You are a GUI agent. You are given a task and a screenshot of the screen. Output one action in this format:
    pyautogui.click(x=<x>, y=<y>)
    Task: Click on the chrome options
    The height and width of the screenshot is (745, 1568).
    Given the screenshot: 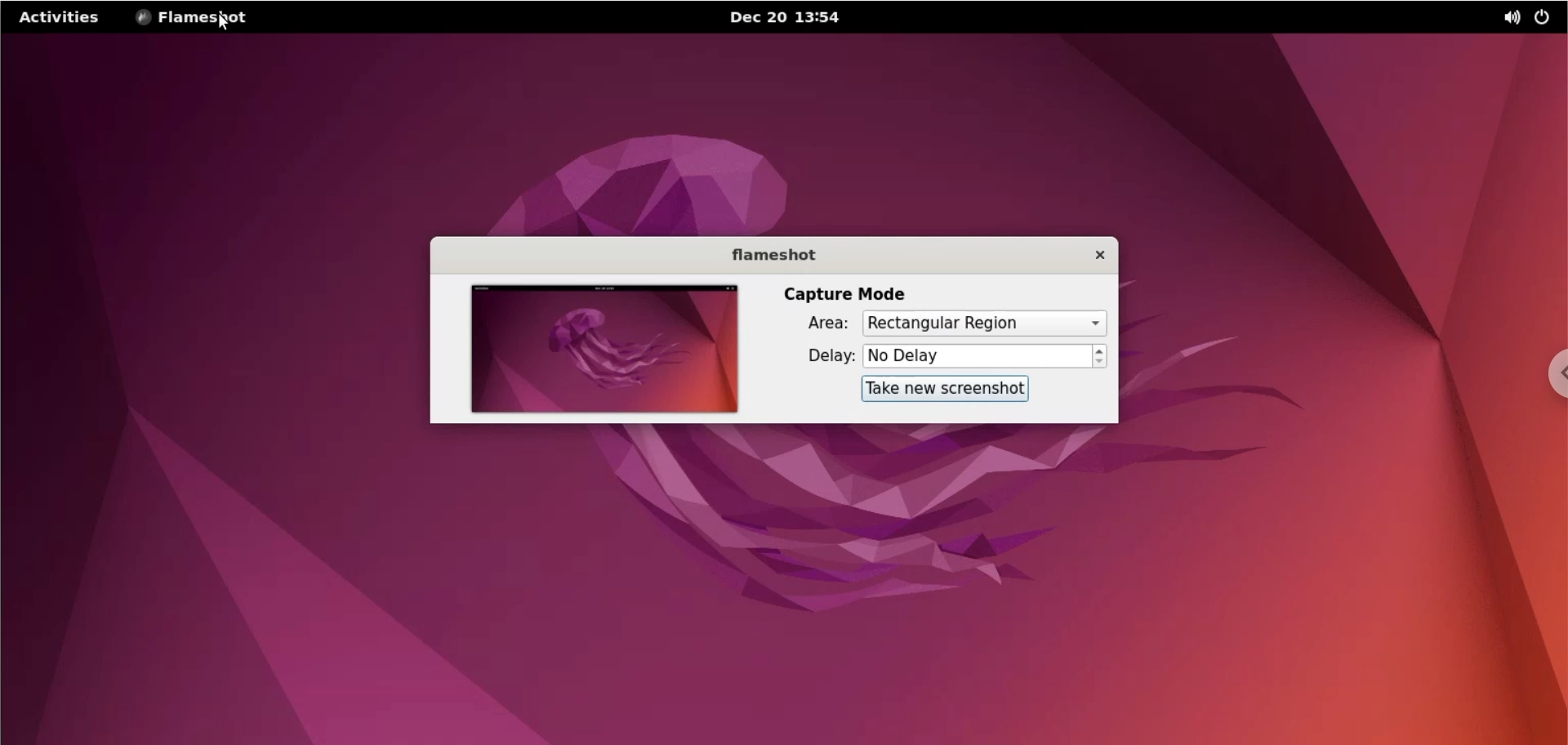 What is the action you would take?
    pyautogui.click(x=1553, y=372)
    